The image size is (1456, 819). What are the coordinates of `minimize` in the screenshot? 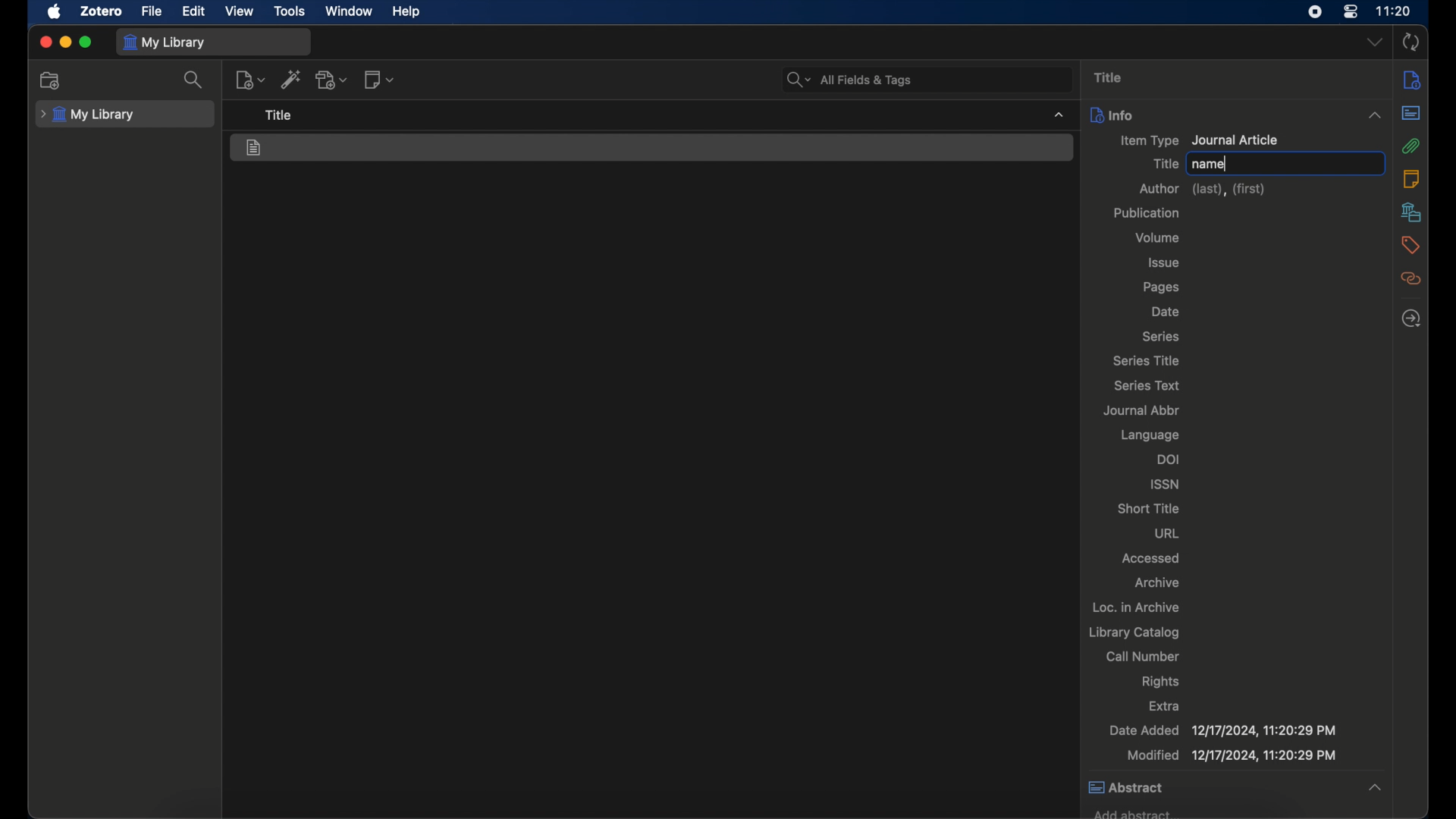 It's located at (64, 41).